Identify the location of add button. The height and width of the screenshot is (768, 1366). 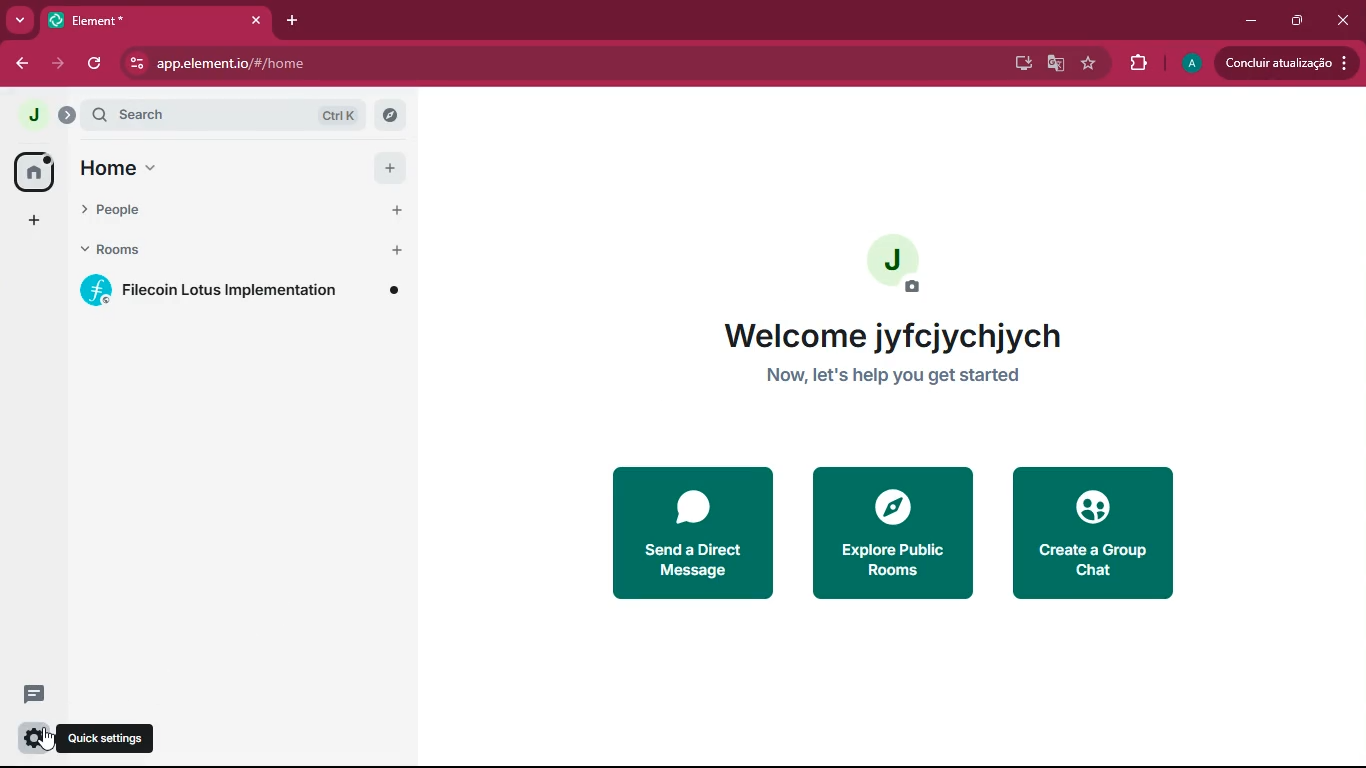
(397, 251).